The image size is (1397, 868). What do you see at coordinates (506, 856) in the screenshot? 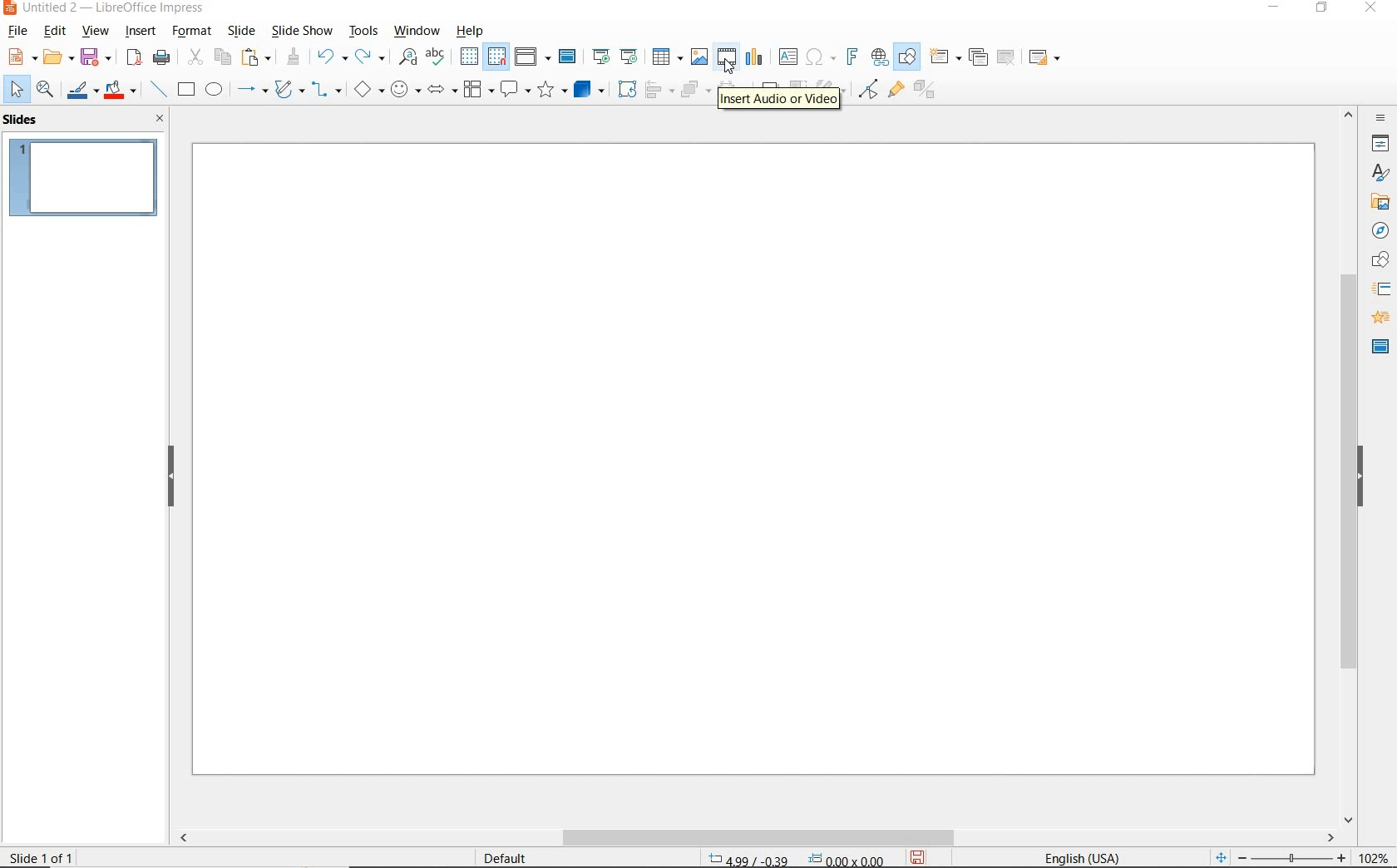
I see `DEFAULT` at bounding box center [506, 856].